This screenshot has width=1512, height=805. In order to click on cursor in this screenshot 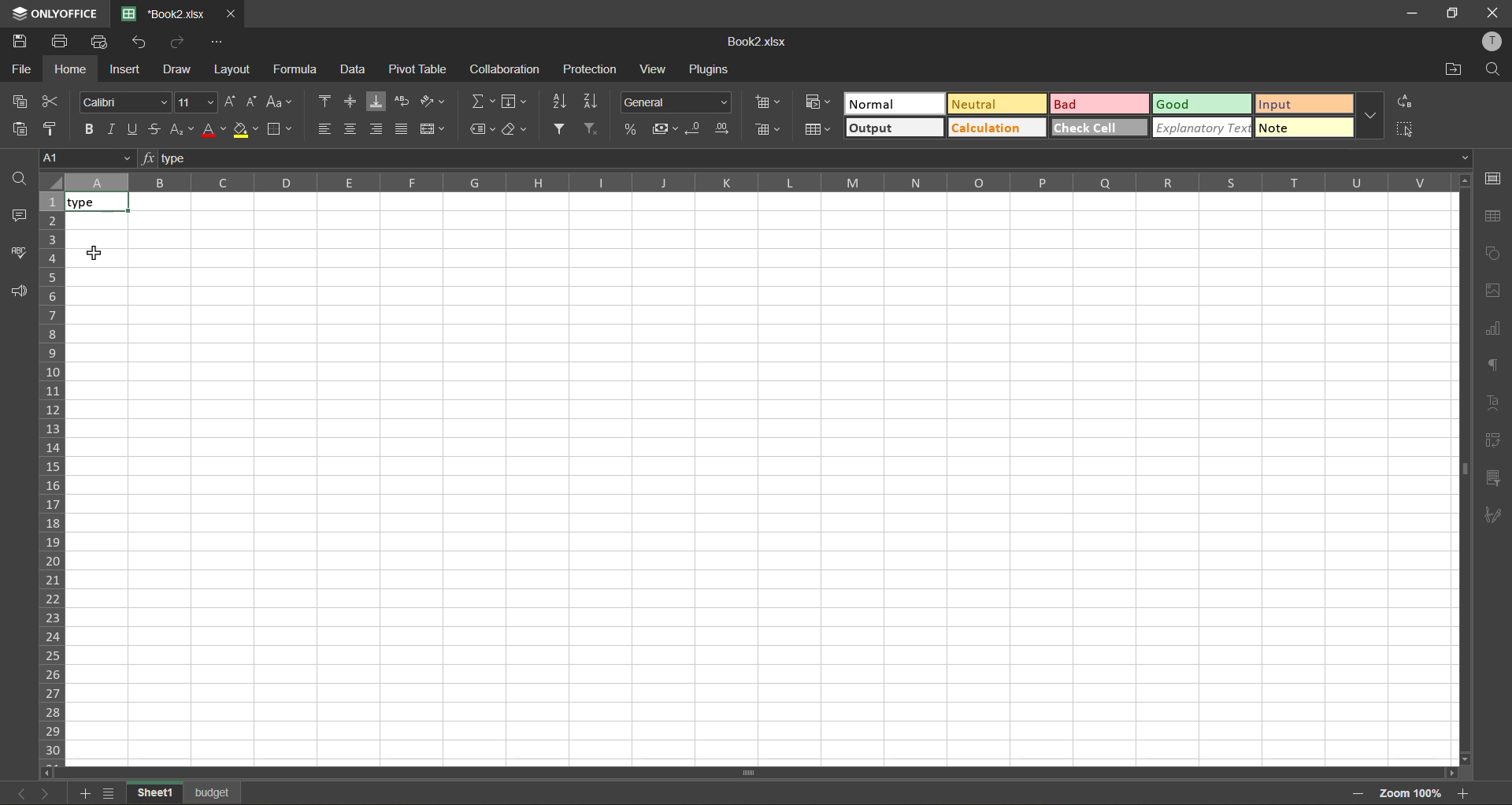, I will do `click(95, 254)`.